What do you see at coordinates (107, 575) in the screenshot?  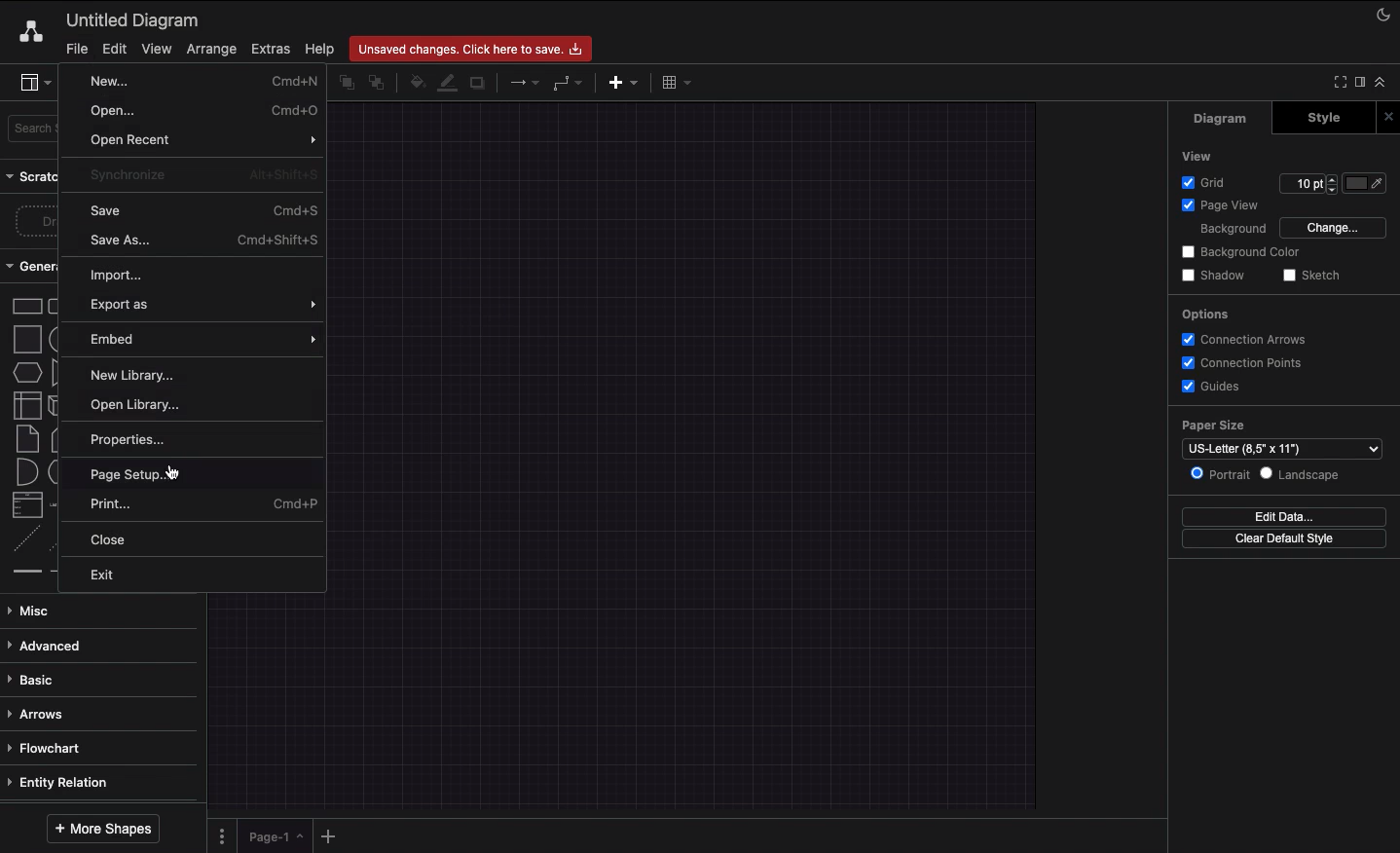 I see `Exit` at bounding box center [107, 575].